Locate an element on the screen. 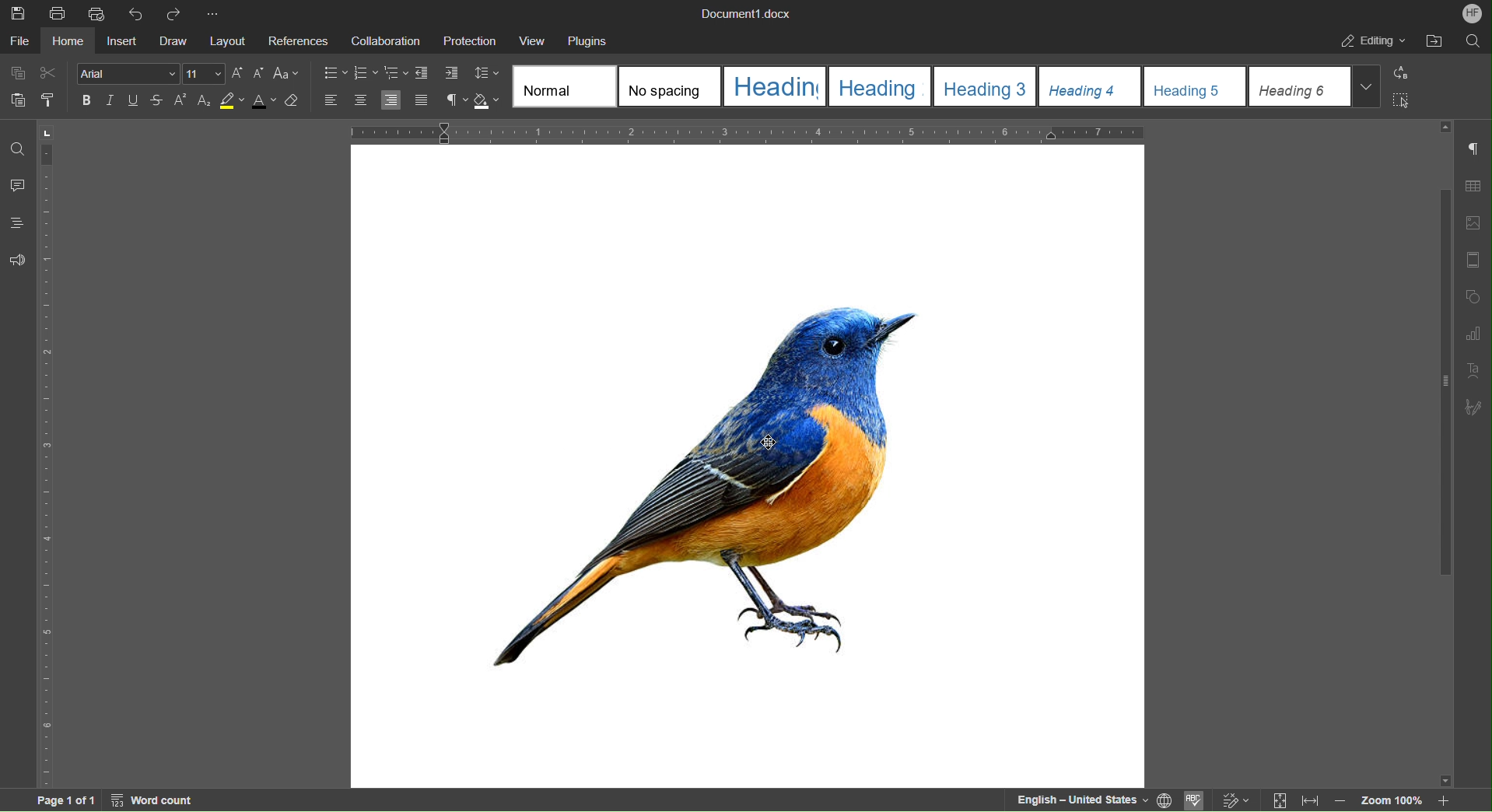 This screenshot has width=1492, height=812. After File Location is located at coordinates (1433, 40).